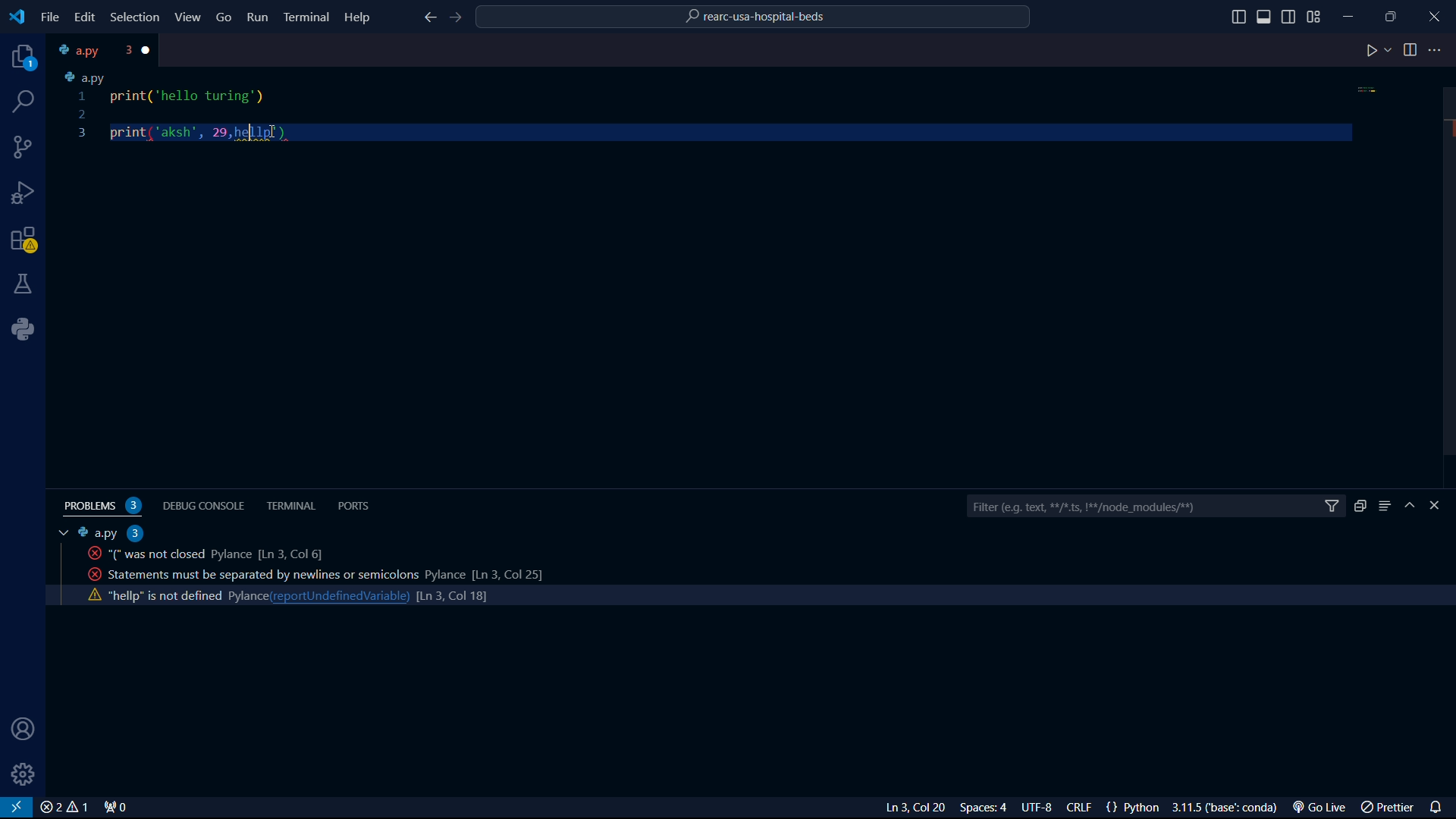 Image resolution: width=1456 pixels, height=819 pixels. I want to click on grid view, so click(1314, 17).